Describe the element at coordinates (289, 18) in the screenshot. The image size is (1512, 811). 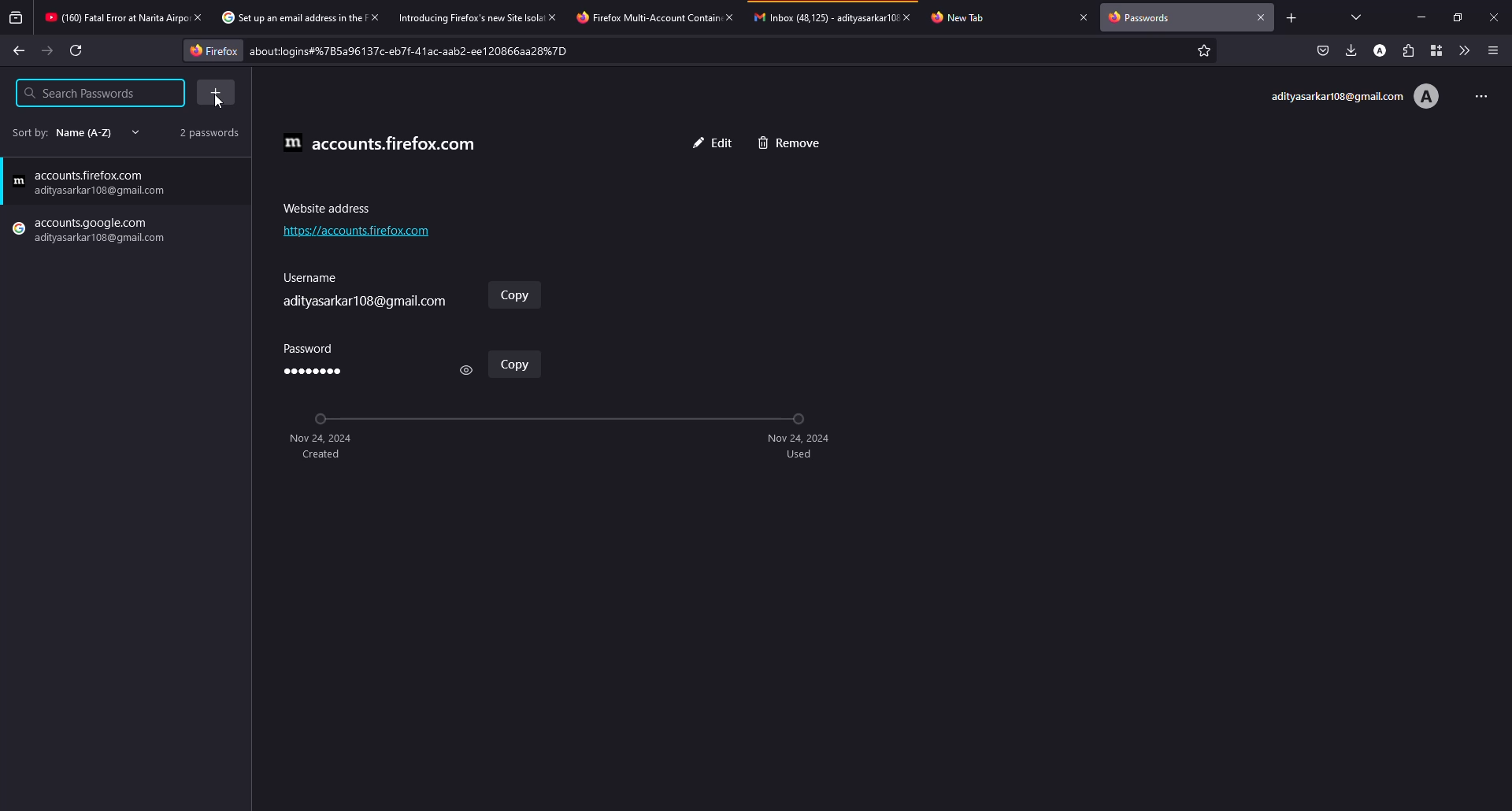
I see `tab` at that location.